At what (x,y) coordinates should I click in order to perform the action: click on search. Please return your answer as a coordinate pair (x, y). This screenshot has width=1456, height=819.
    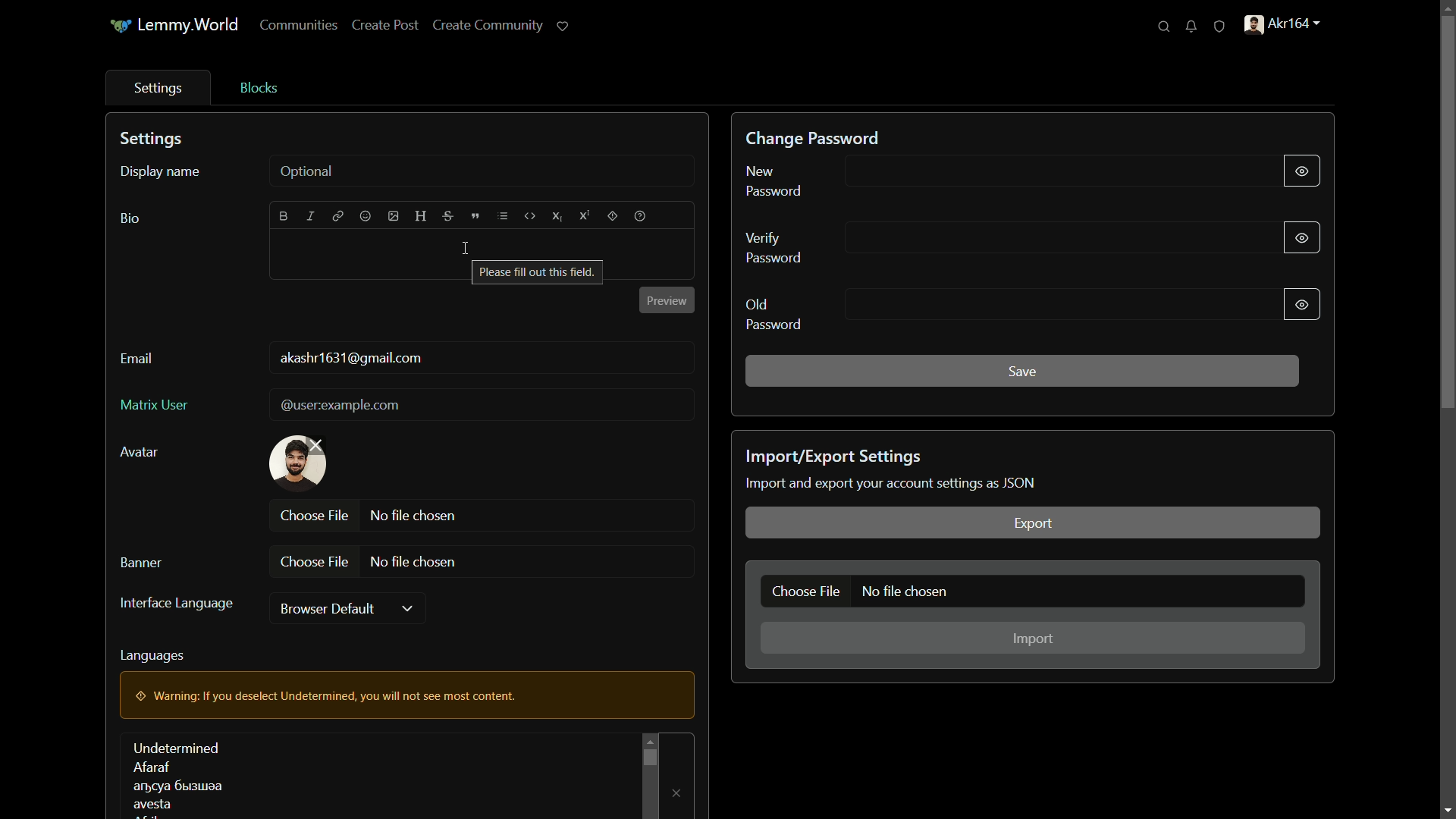
    Looking at the image, I should click on (1164, 26).